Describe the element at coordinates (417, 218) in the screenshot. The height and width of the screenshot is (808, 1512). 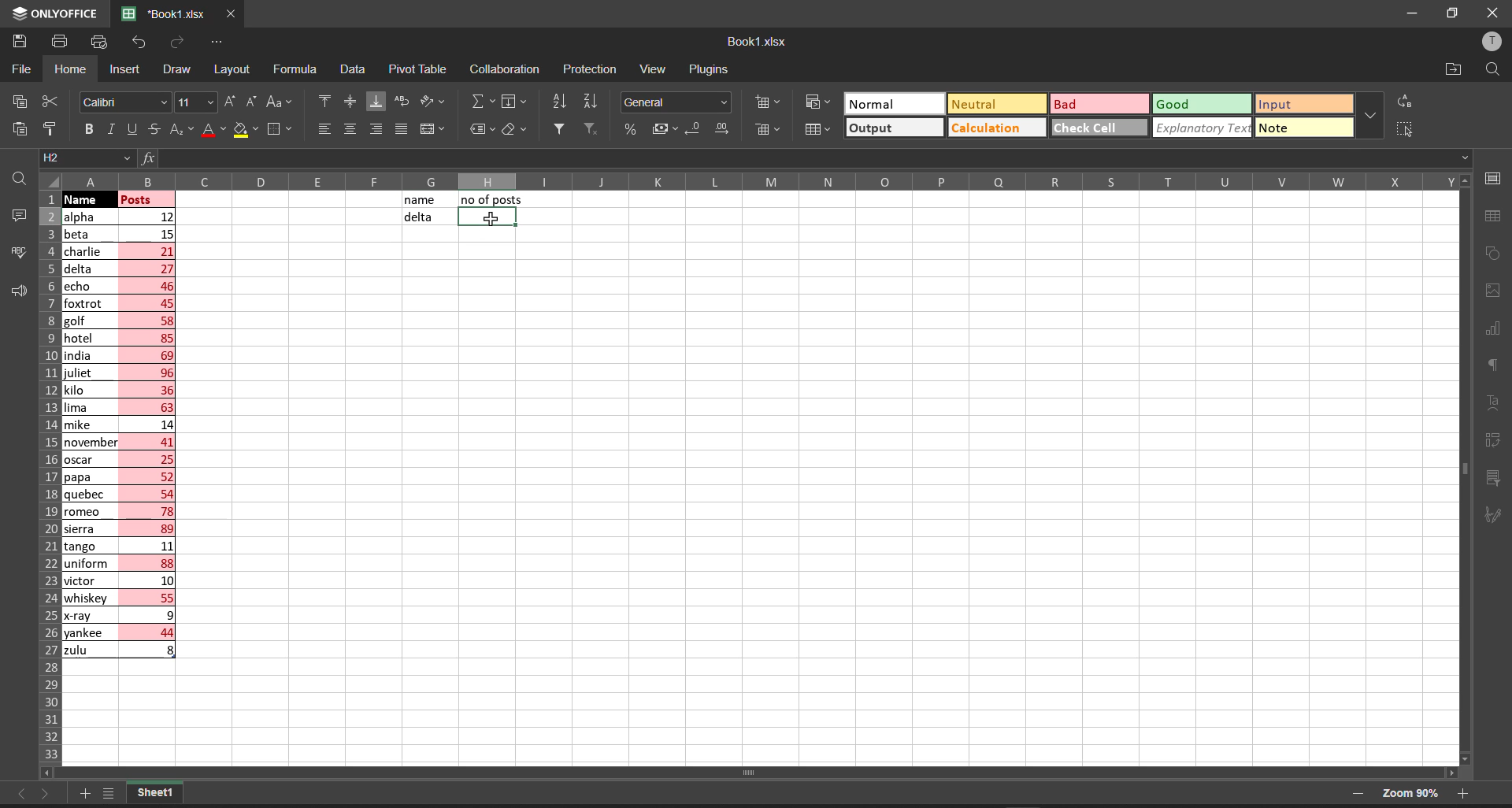
I see `delta` at that location.